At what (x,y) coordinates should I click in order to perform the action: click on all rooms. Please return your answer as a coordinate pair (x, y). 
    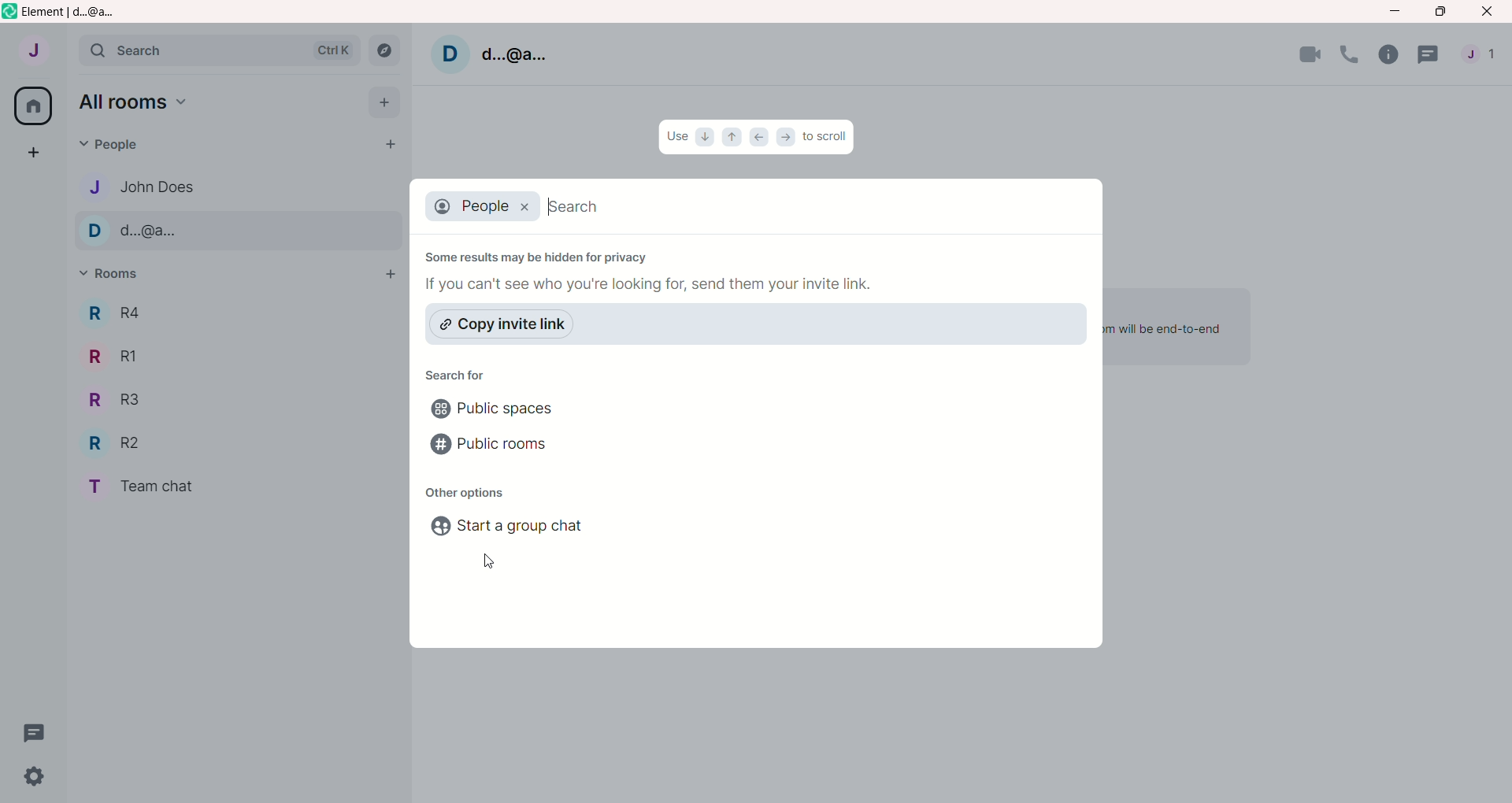
    Looking at the image, I should click on (134, 103).